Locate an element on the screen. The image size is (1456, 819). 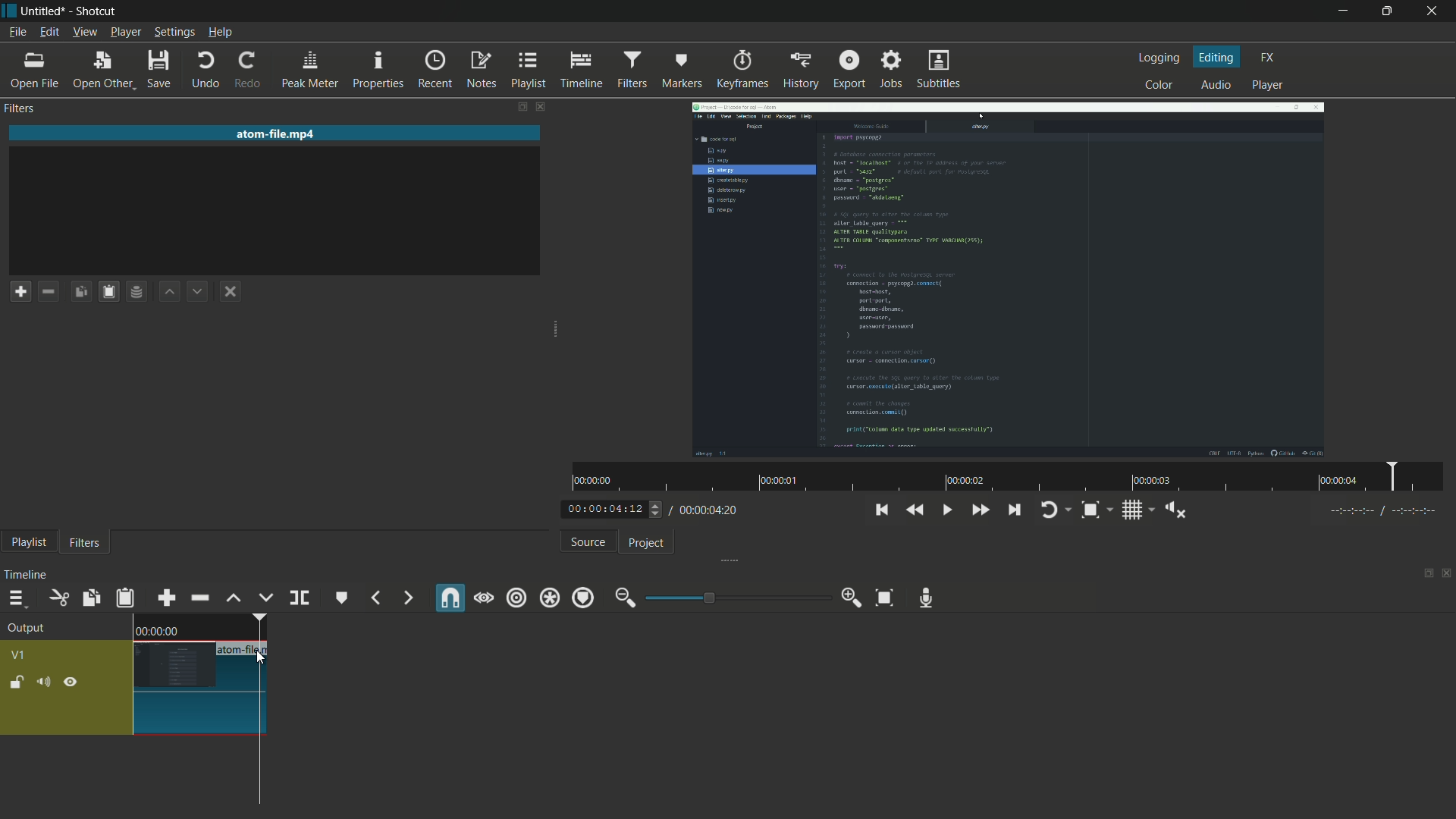
toggle zoom is located at coordinates (1091, 510).